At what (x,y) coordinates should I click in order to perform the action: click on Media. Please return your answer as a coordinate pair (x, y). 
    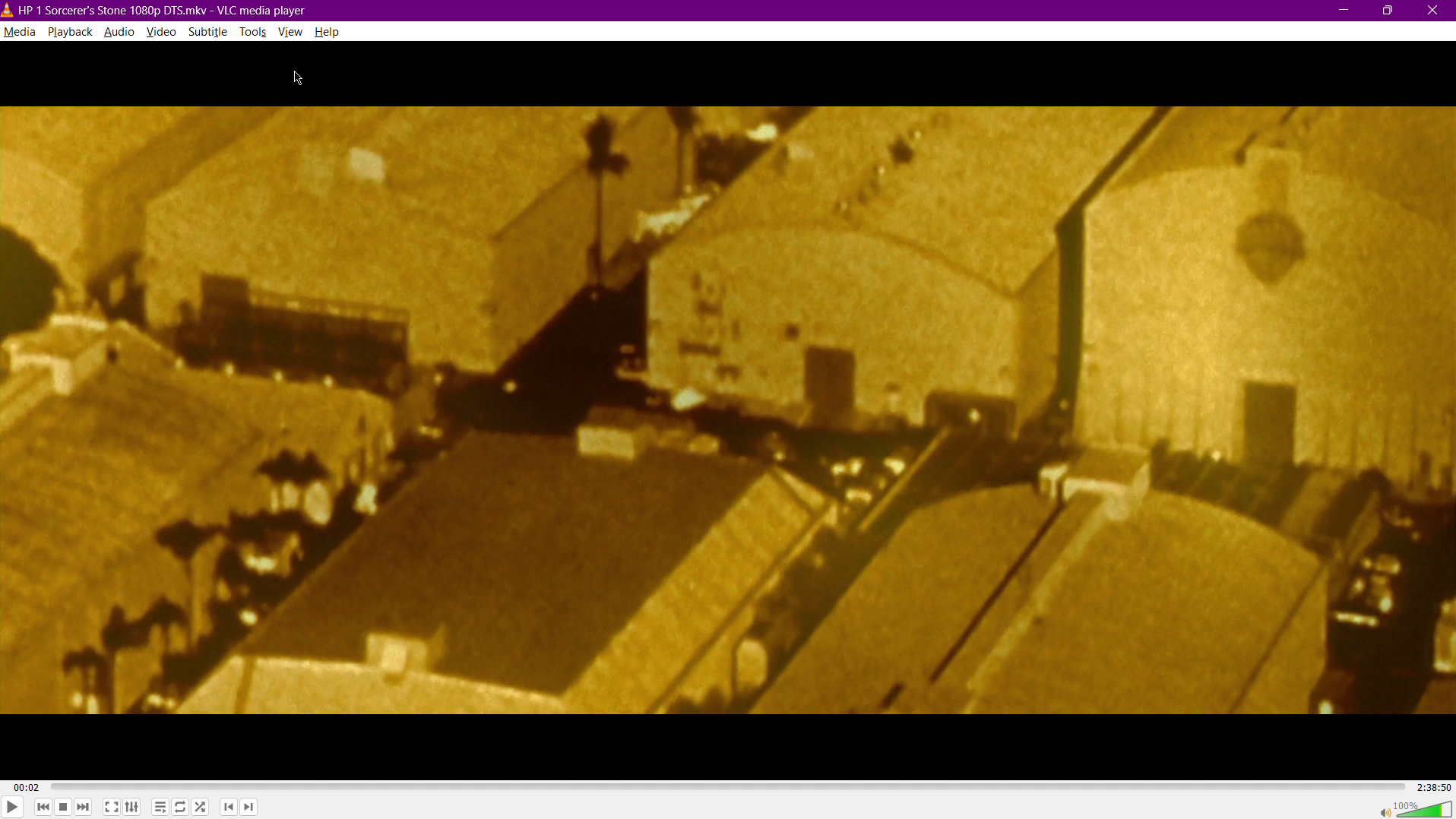
    Looking at the image, I should click on (19, 32).